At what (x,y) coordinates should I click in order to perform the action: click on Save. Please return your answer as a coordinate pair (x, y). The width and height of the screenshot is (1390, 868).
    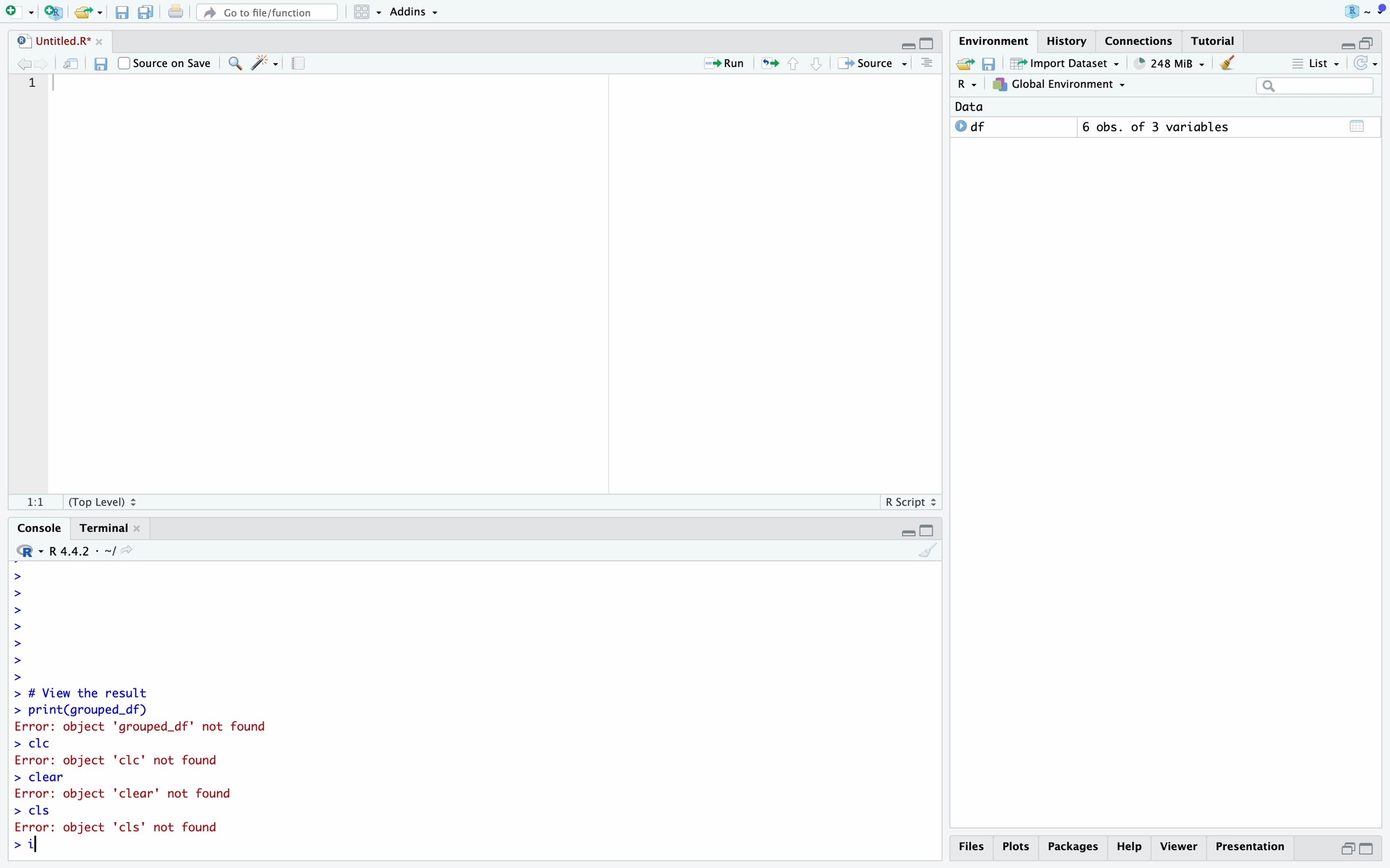
    Looking at the image, I should click on (102, 64).